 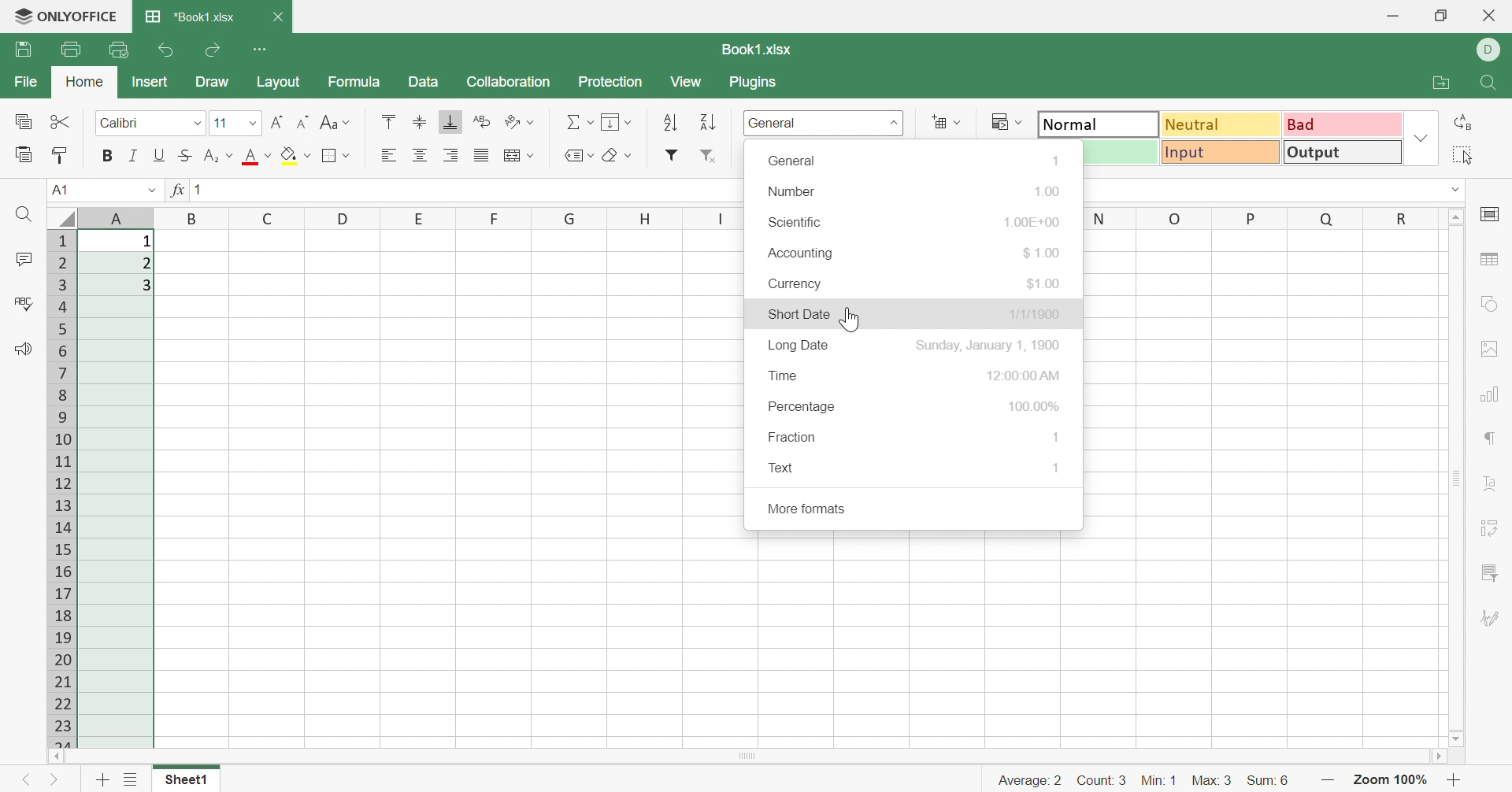 What do you see at coordinates (85, 81) in the screenshot?
I see `Home` at bounding box center [85, 81].